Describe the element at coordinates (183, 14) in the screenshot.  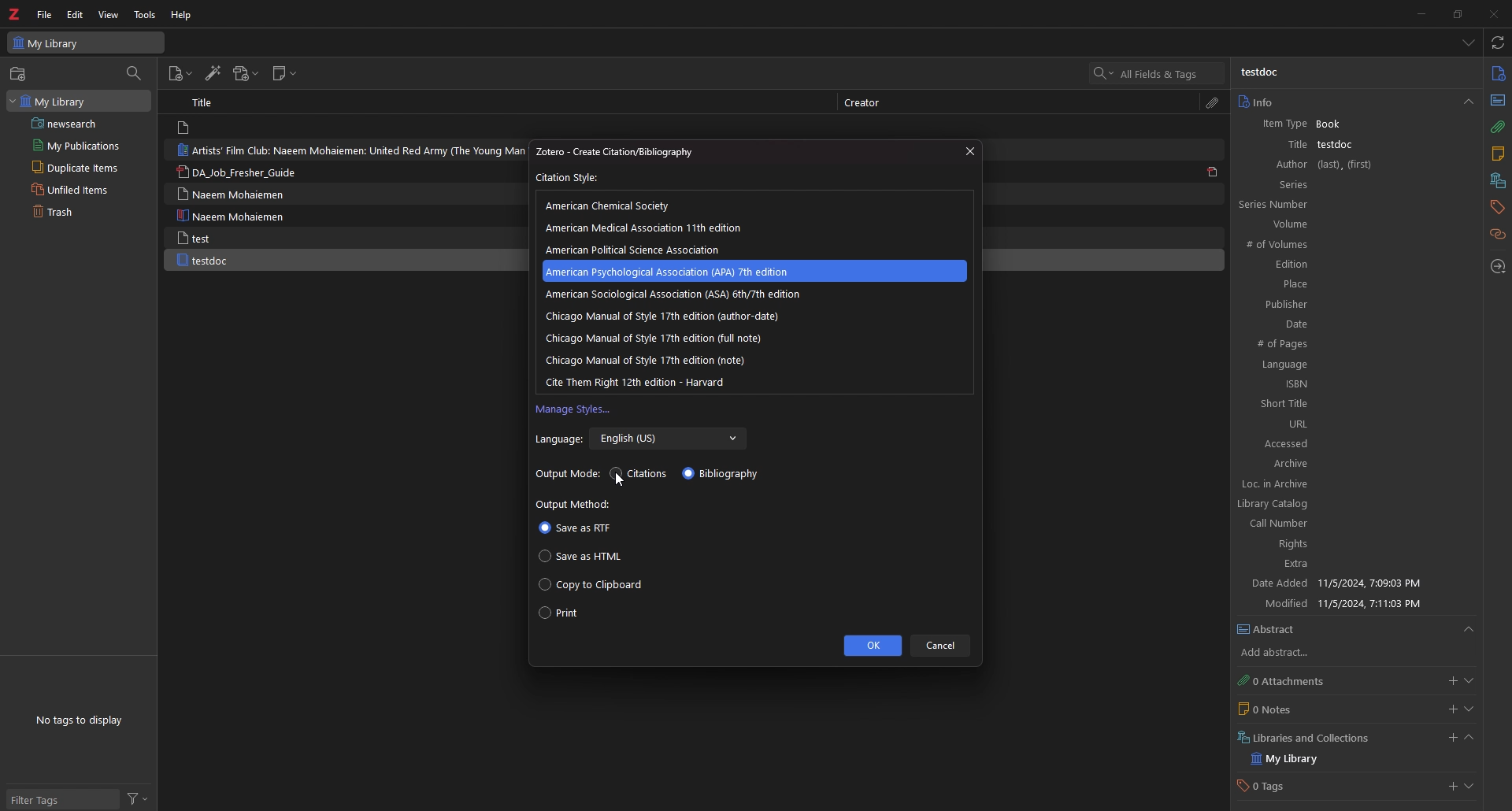
I see `help` at that location.